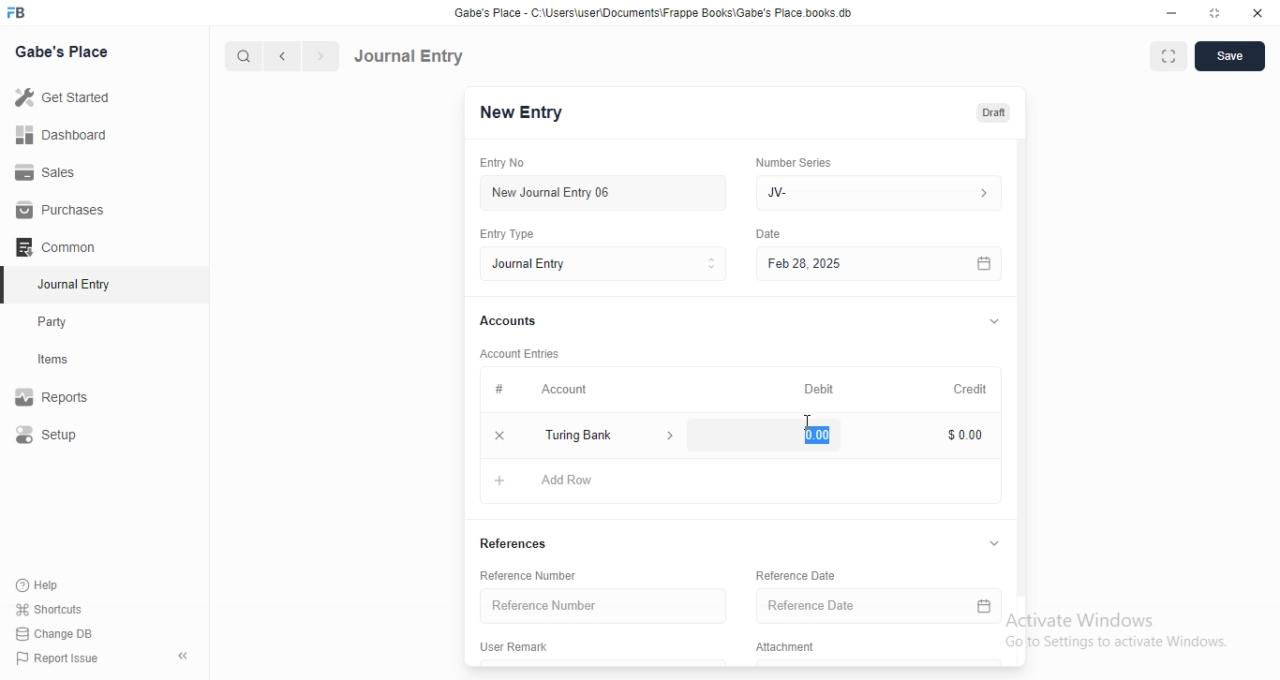 The width and height of the screenshot is (1280, 680). What do you see at coordinates (878, 190) in the screenshot?
I see `JV-` at bounding box center [878, 190].